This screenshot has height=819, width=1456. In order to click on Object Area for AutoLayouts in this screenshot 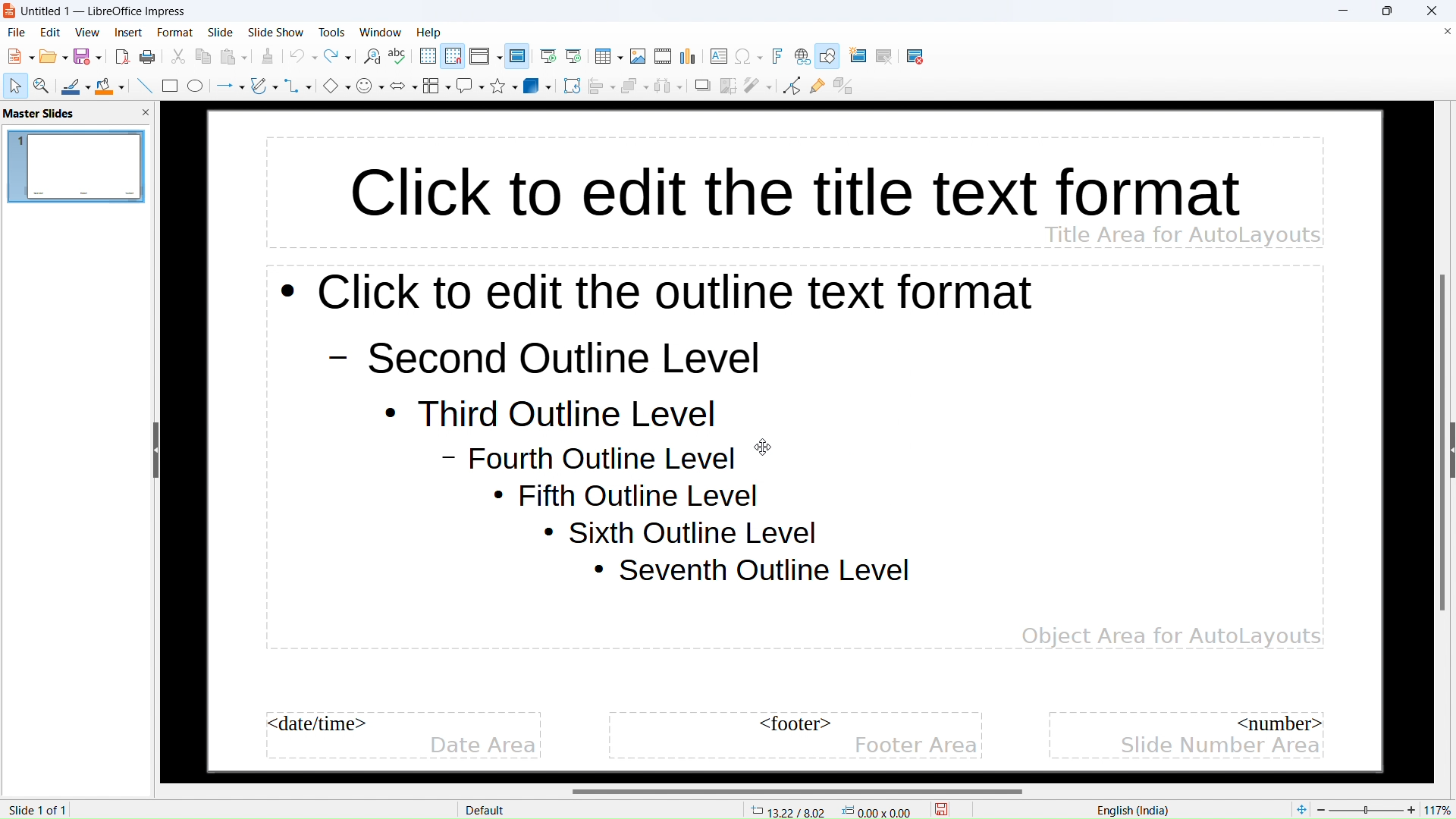, I will do `click(1171, 629)`.